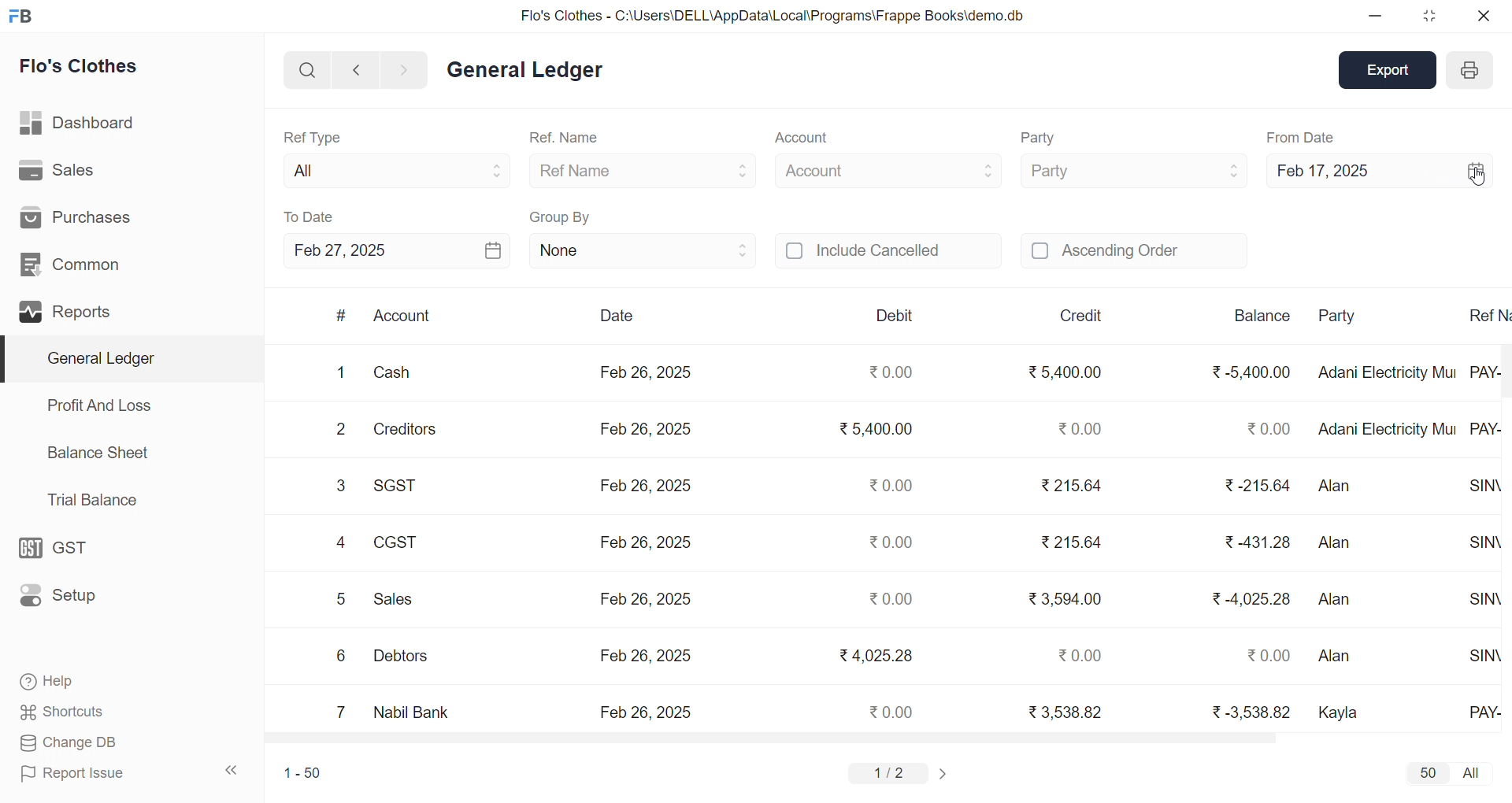 This screenshot has height=803, width=1512. What do you see at coordinates (1482, 16) in the screenshot?
I see `CLOSE` at bounding box center [1482, 16].